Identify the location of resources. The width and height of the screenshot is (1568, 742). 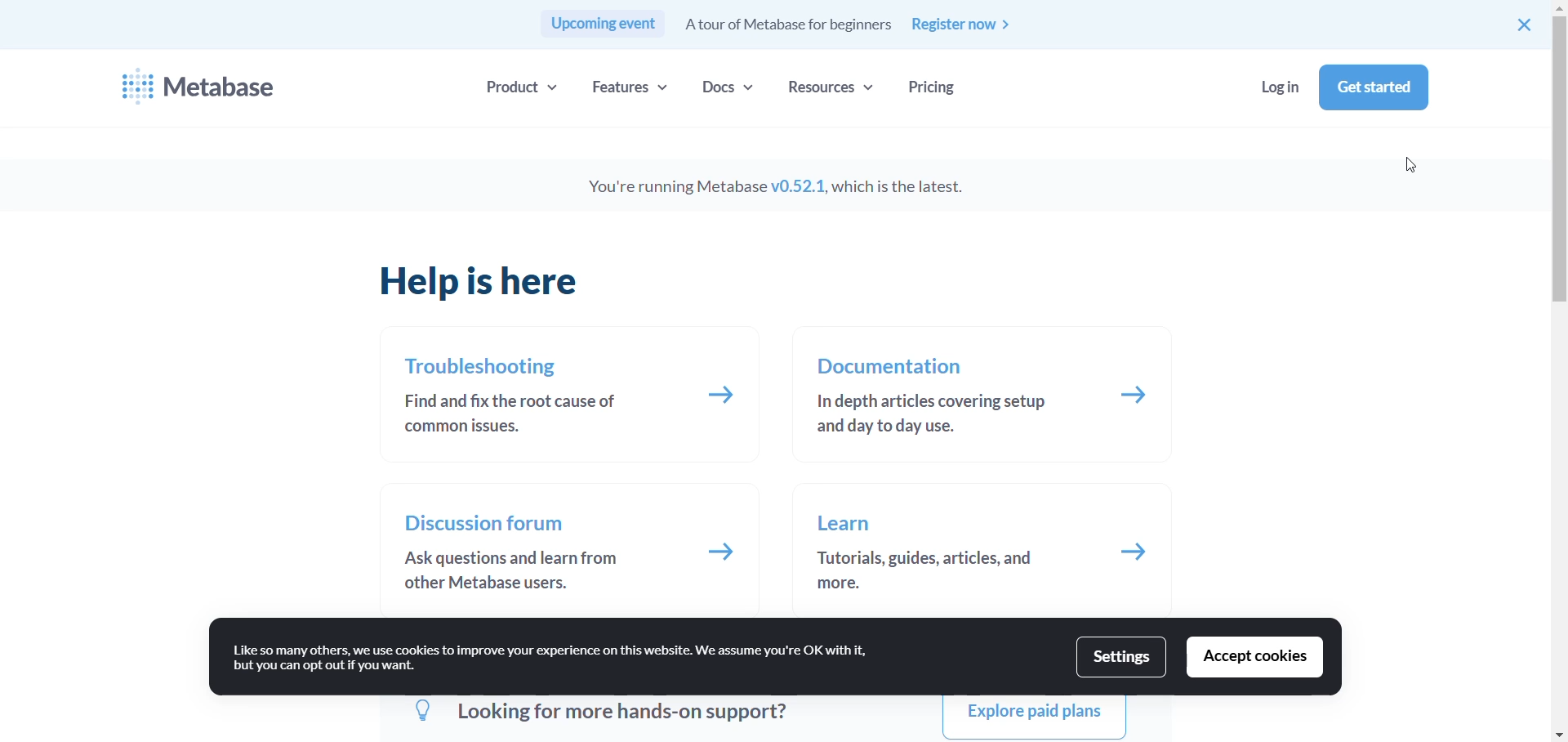
(835, 87).